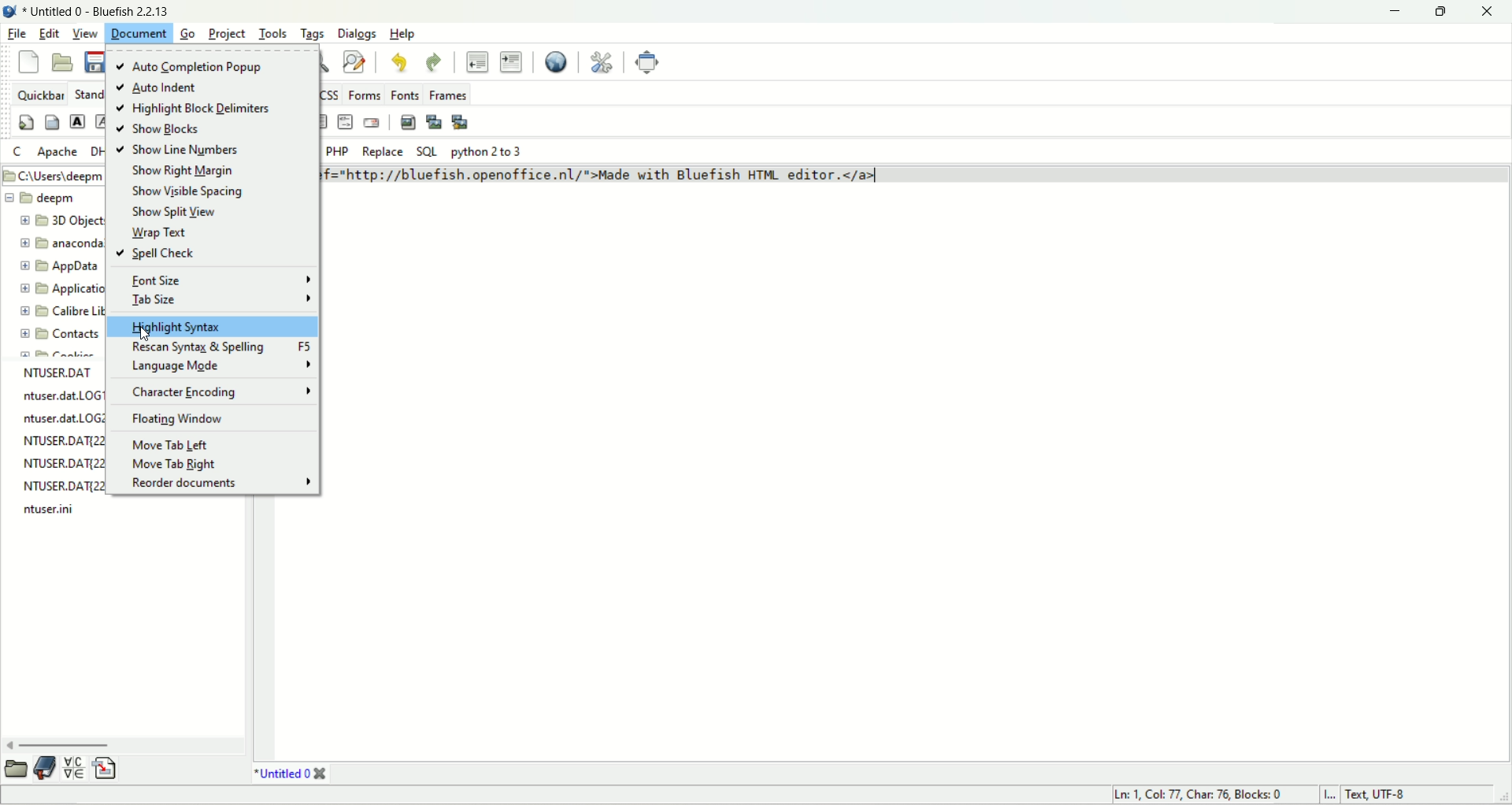  I want to click on apache, so click(57, 154).